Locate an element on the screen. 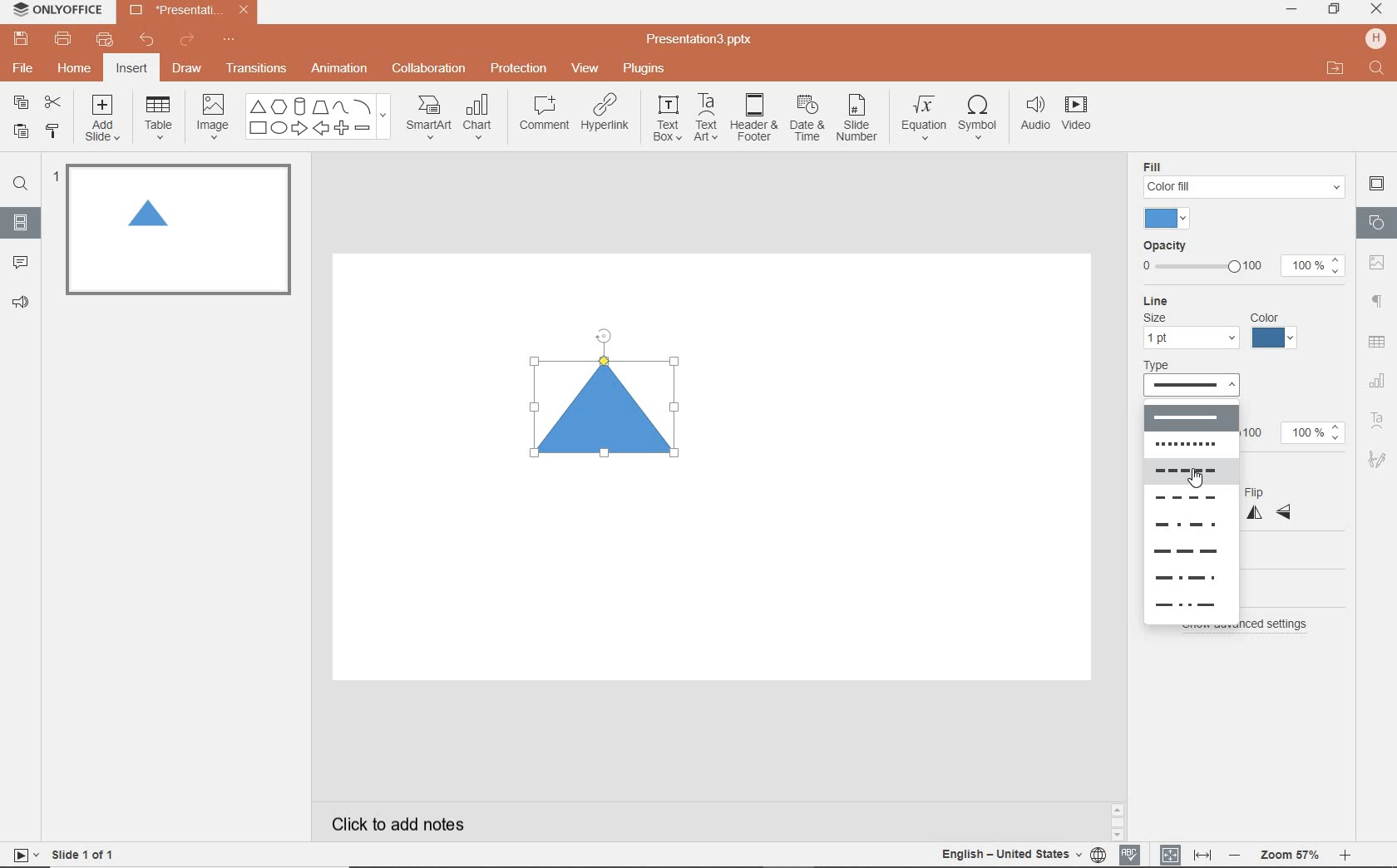 This screenshot has height=868, width=1397. ADD SLIDE is located at coordinates (105, 121).